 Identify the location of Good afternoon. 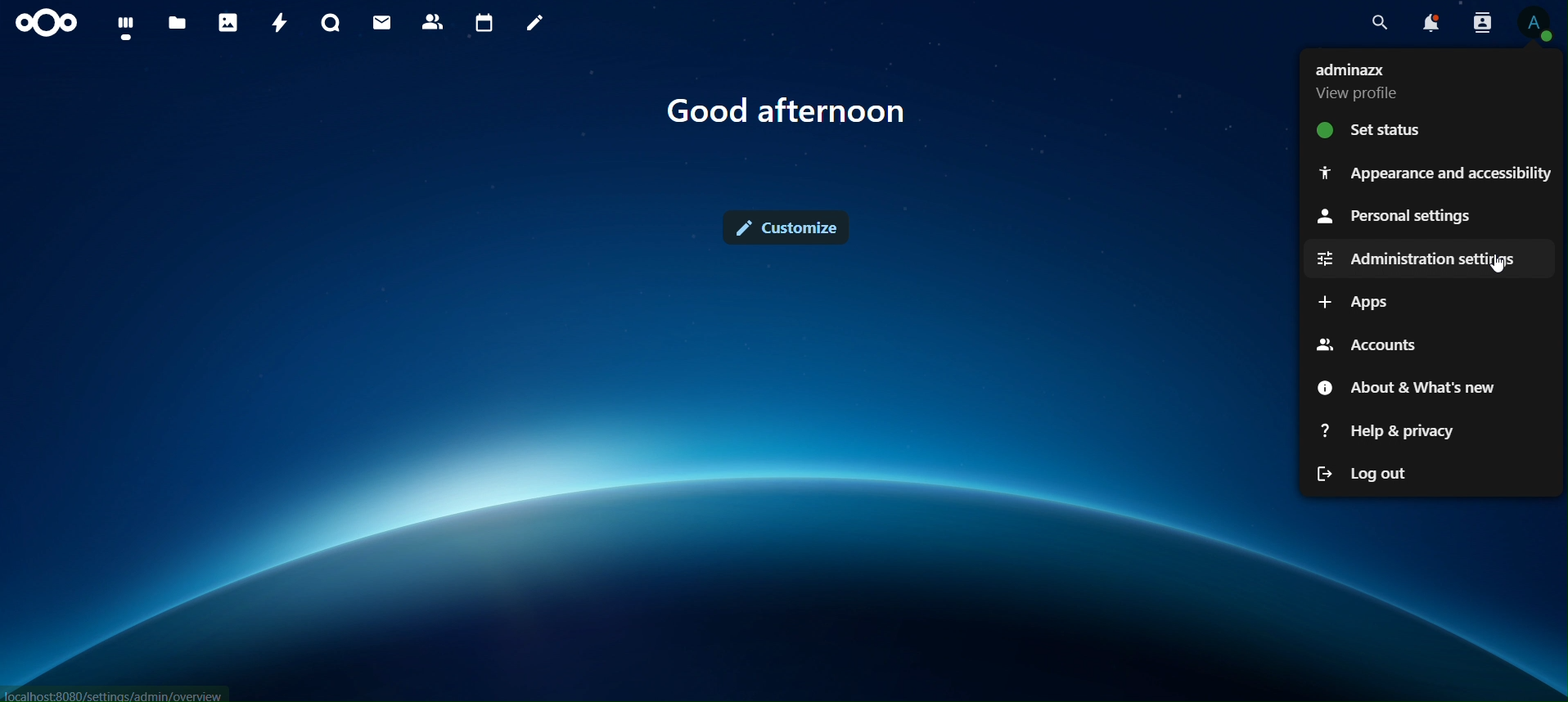
(786, 114).